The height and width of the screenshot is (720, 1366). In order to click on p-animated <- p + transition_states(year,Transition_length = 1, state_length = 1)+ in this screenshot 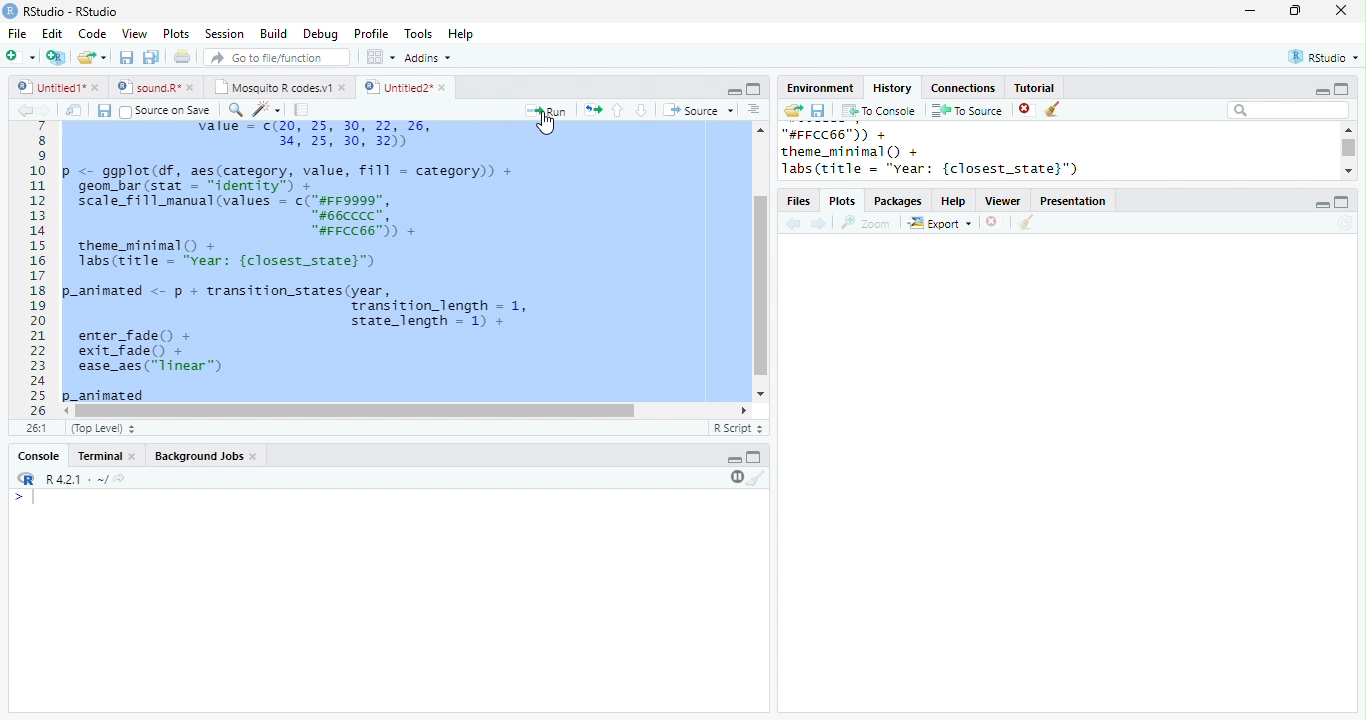, I will do `click(304, 304)`.